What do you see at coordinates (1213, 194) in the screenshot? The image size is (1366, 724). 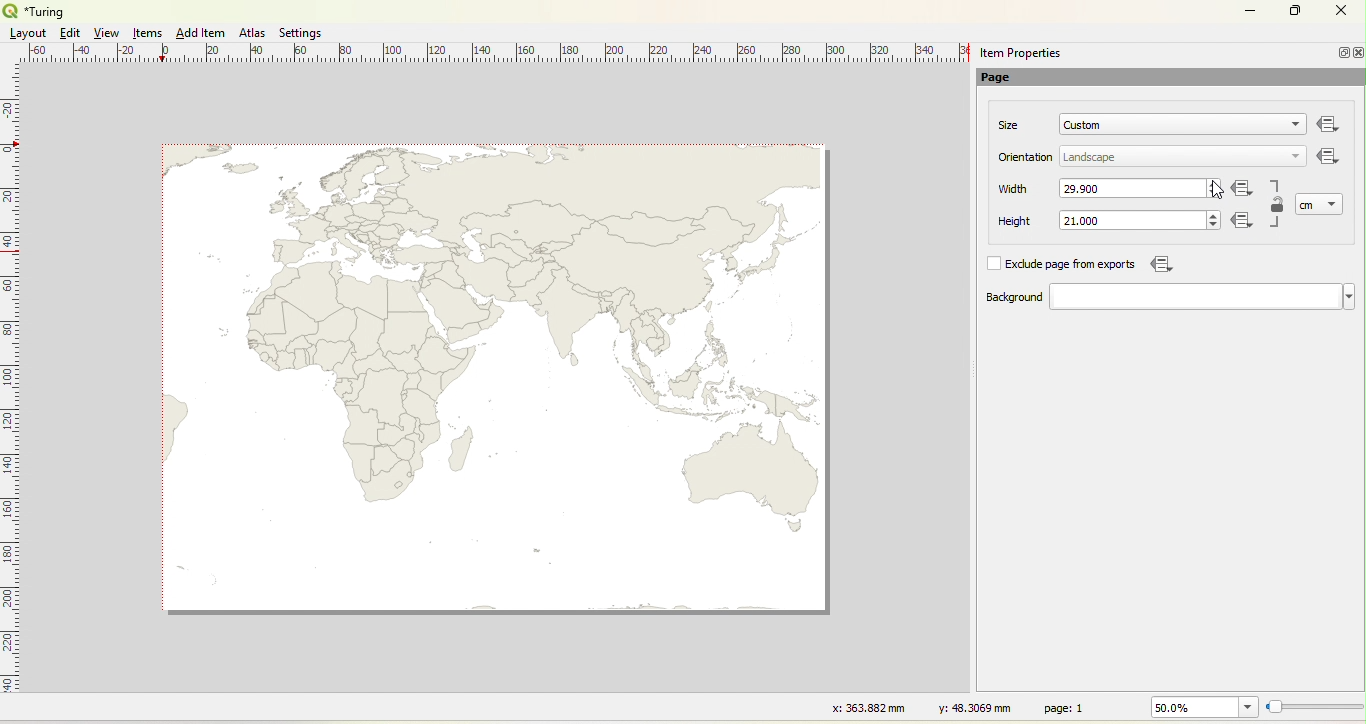 I see `decrease` at bounding box center [1213, 194].